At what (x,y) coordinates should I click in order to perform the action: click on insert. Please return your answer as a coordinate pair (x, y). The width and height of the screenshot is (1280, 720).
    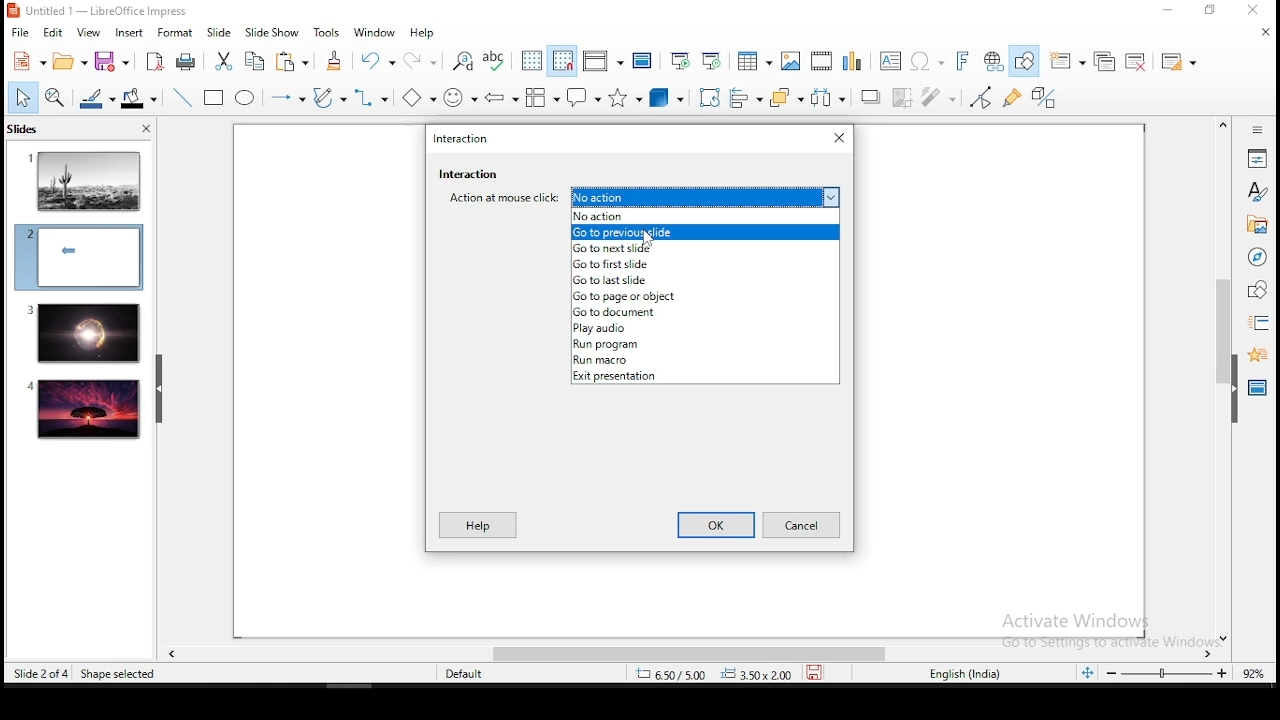
    Looking at the image, I should click on (128, 33).